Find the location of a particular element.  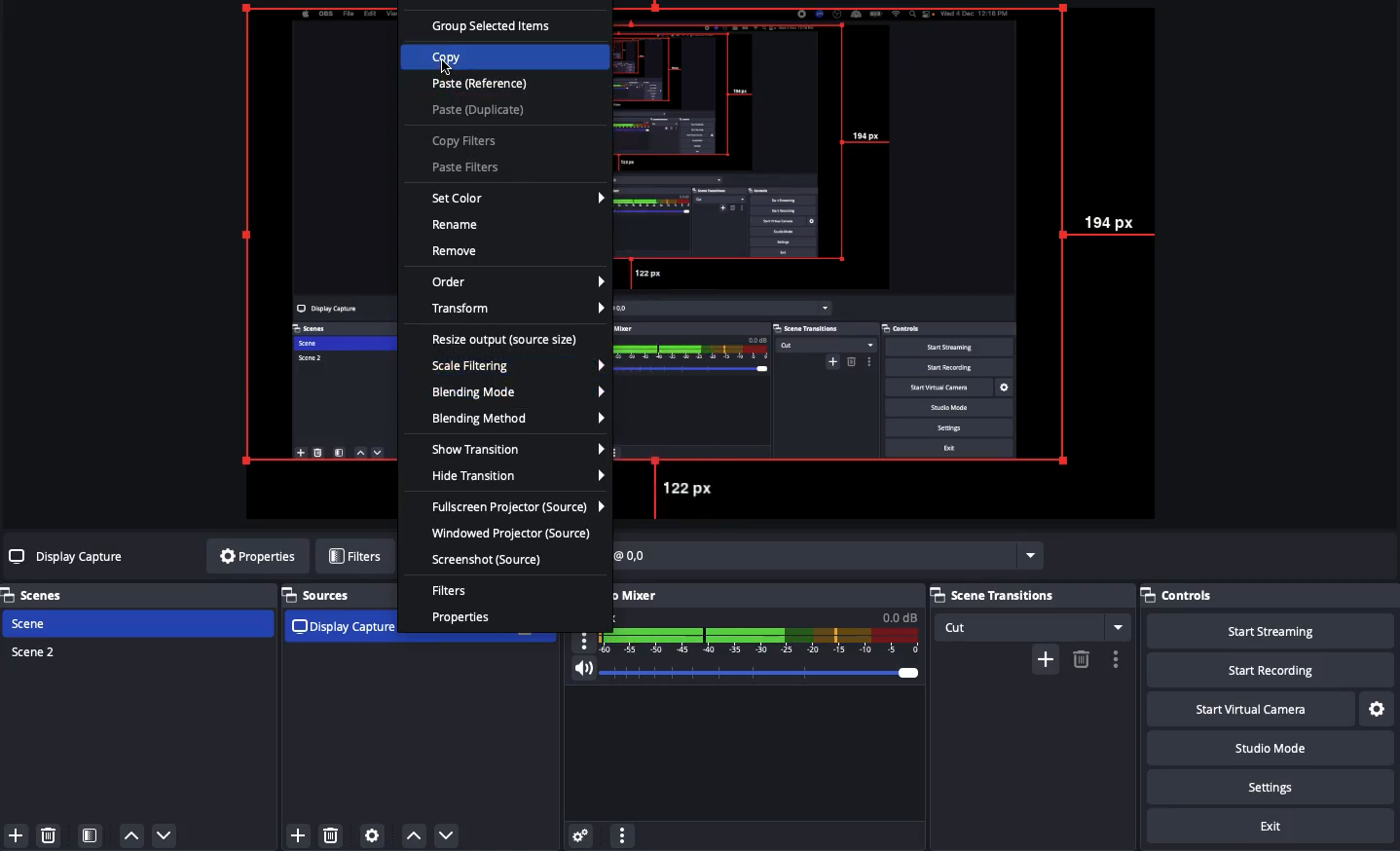

Start streaming is located at coordinates (1271, 631).